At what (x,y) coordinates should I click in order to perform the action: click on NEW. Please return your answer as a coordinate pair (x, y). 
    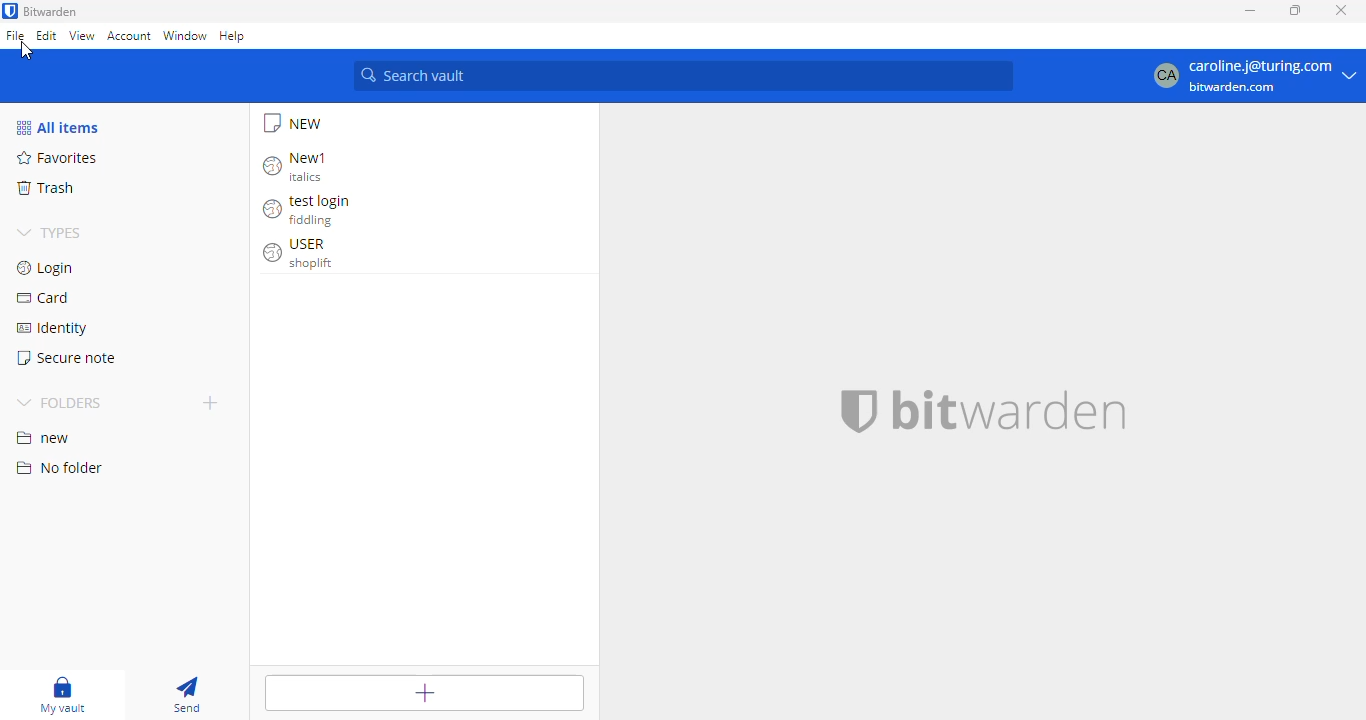
    Looking at the image, I should click on (295, 123).